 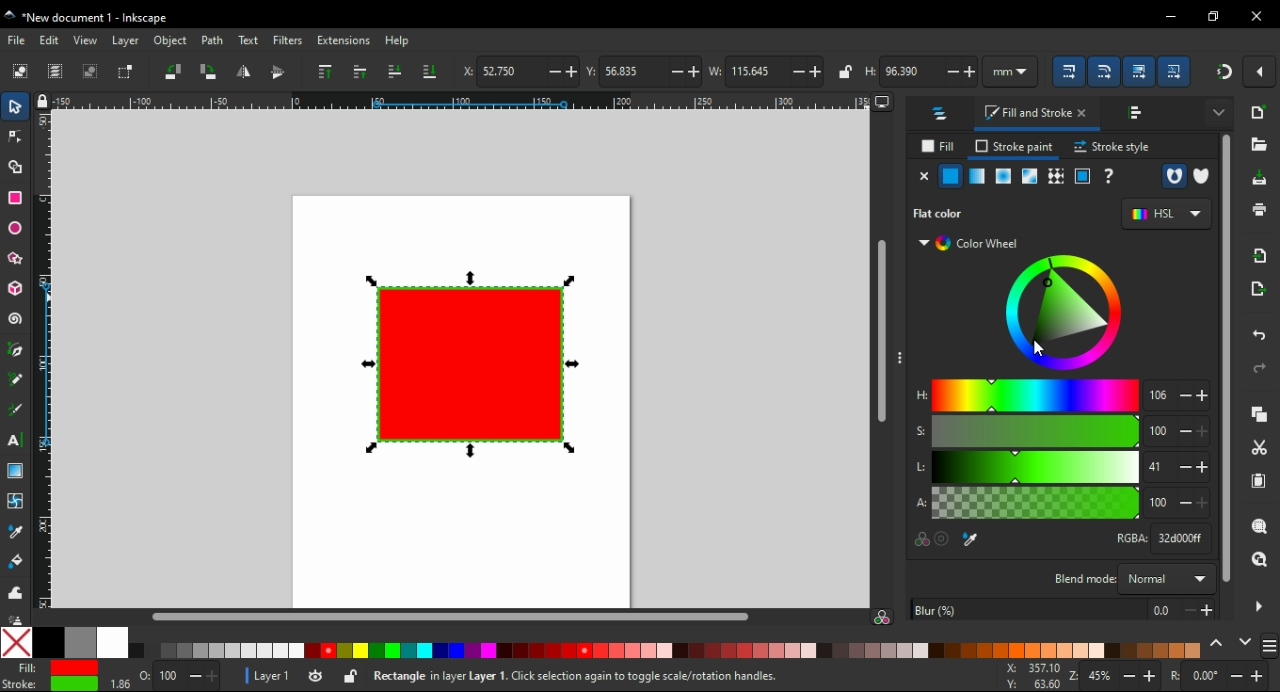 What do you see at coordinates (1258, 110) in the screenshot?
I see `new` at bounding box center [1258, 110].